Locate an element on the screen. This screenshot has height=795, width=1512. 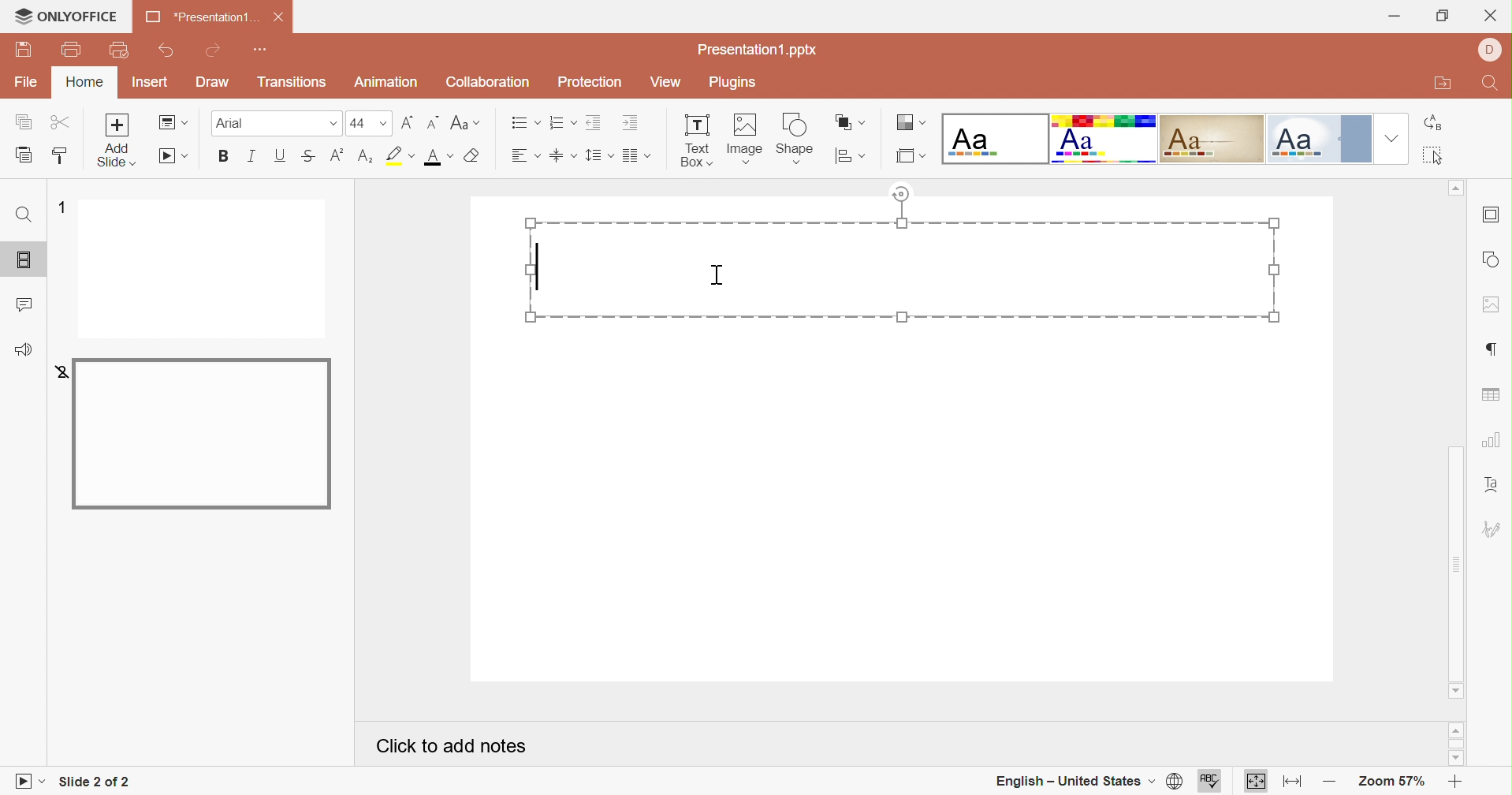
Line spacing is located at coordinates (599, 157).